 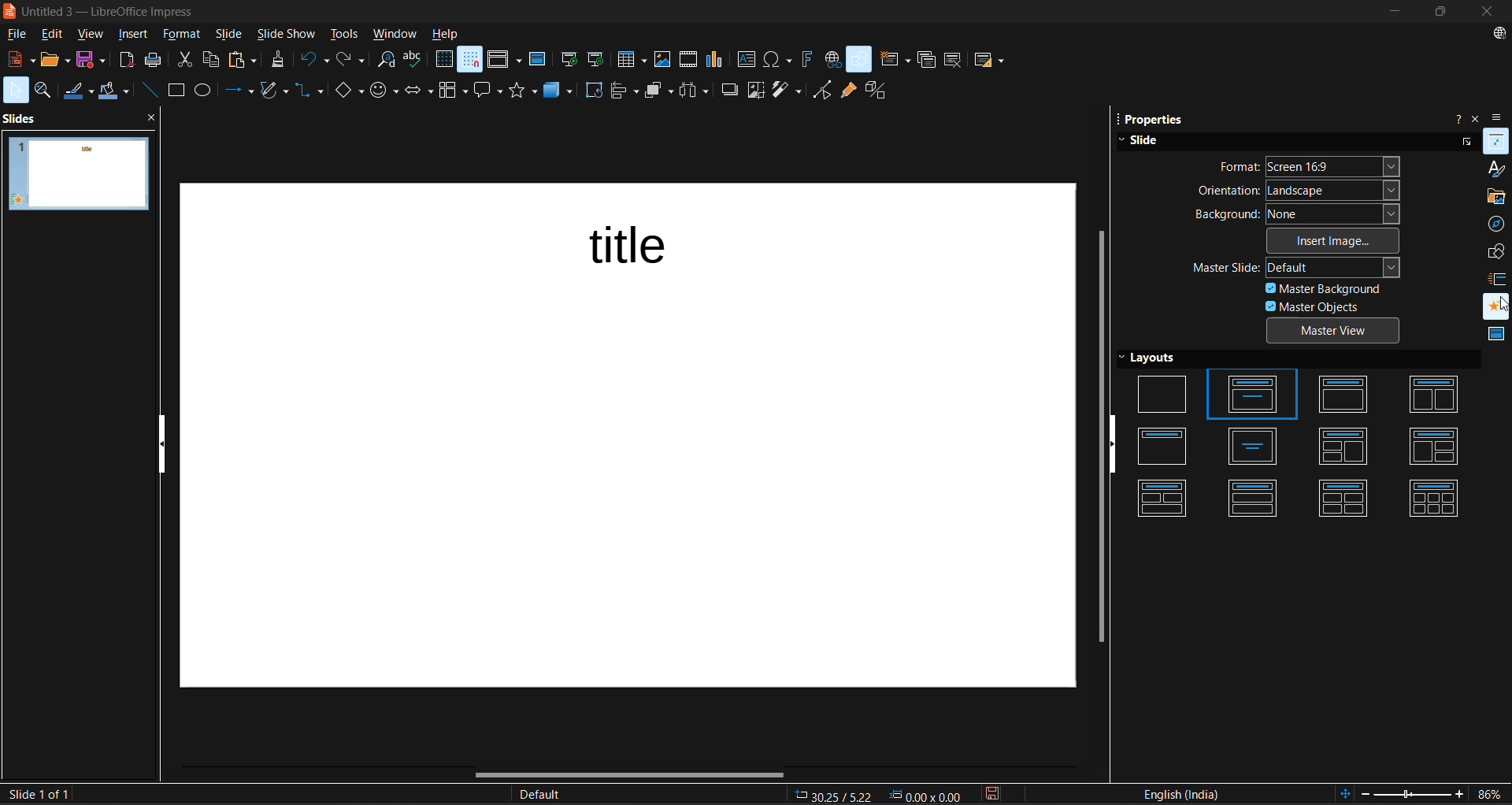 I want to click on master background, so click(x=1325, y=287).